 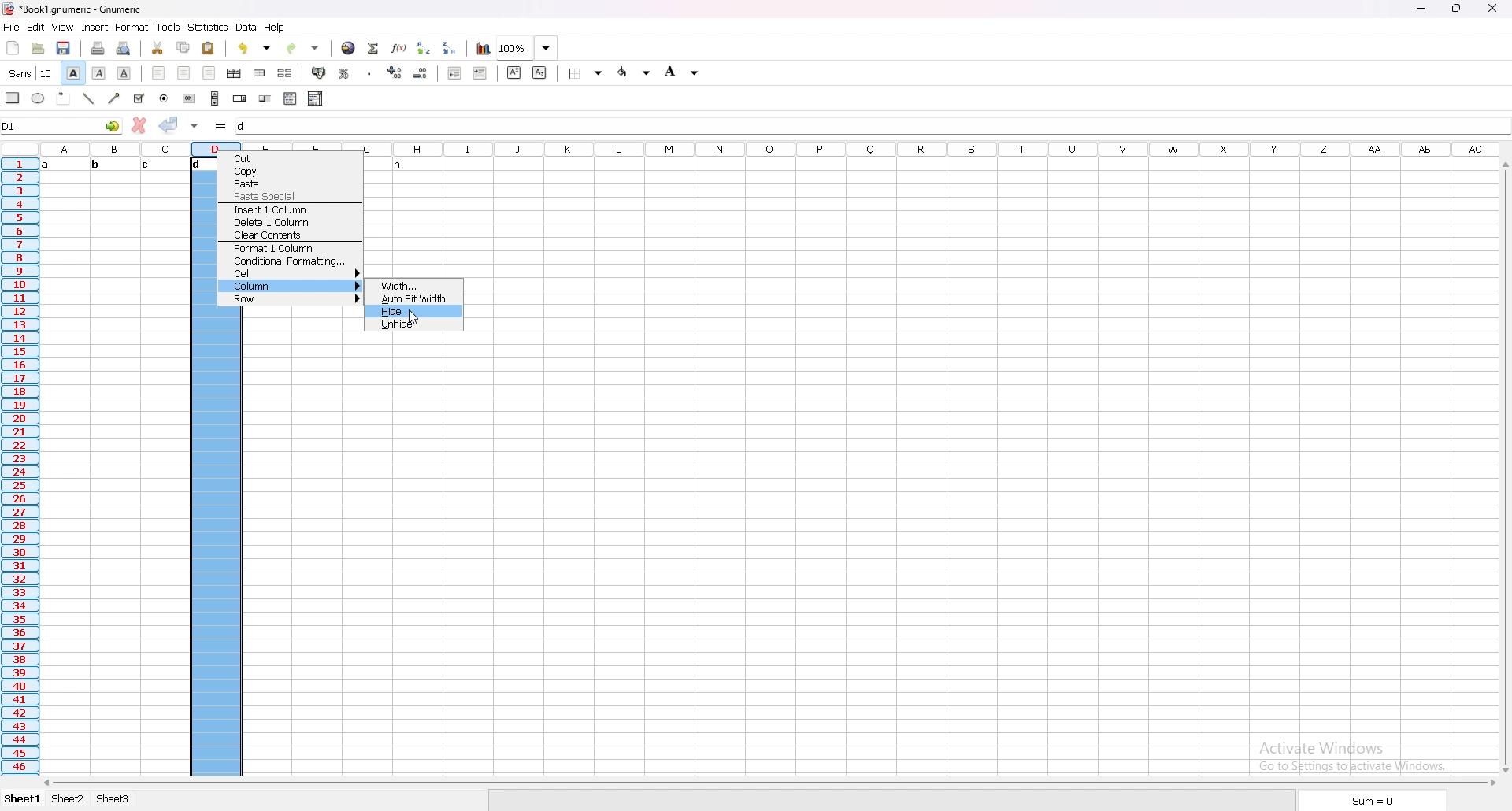 What do you see at coordinates (72, 8) in the screenshot?
I see `file name` at bounding box center [72, 8].